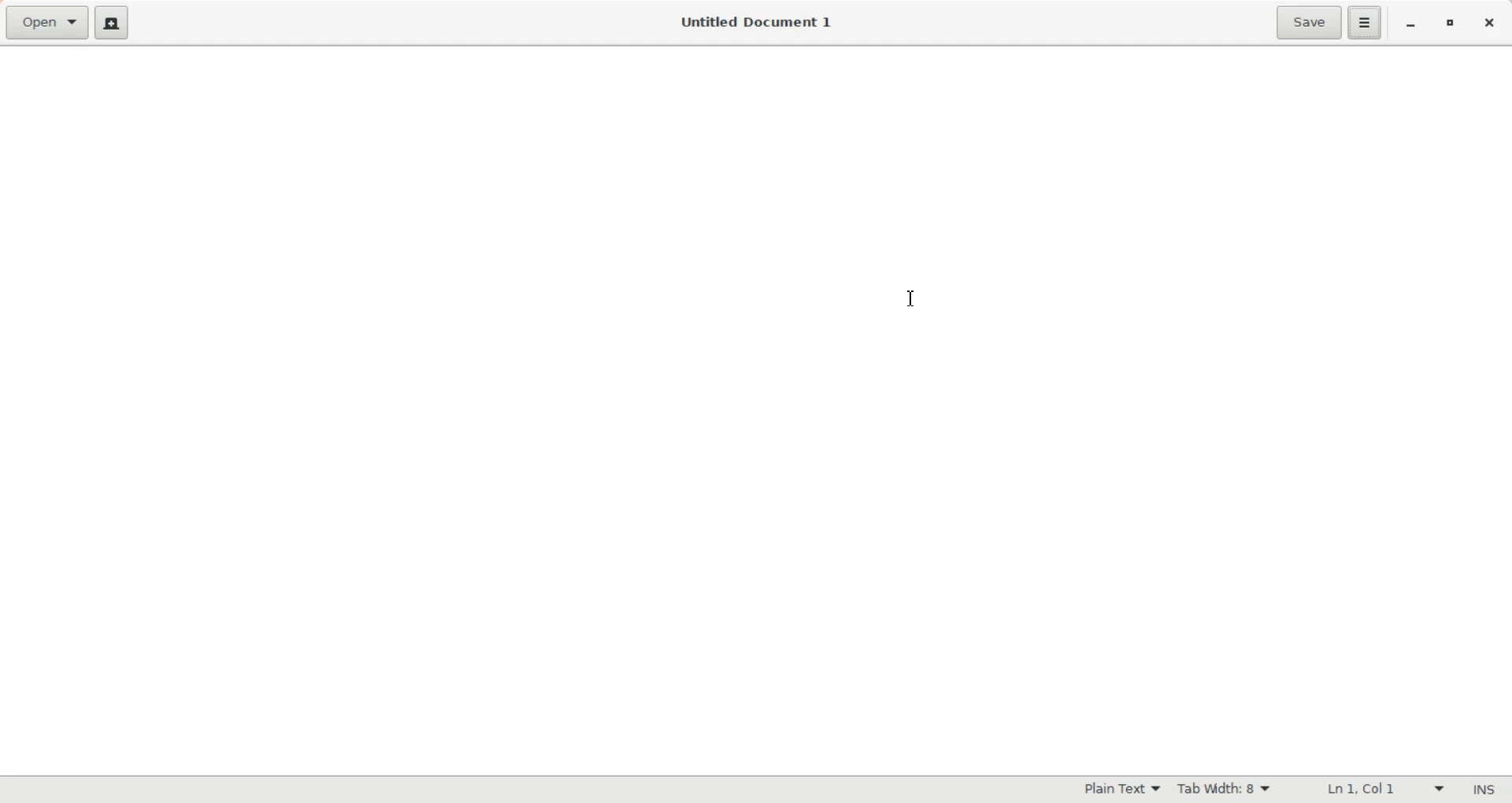 Image resolution: width=1512 pixels, height=803 pixels. What do you see at coordinates (1307, 23) in the screenshot?
I see `Save` at bounding box center [1307, 23].